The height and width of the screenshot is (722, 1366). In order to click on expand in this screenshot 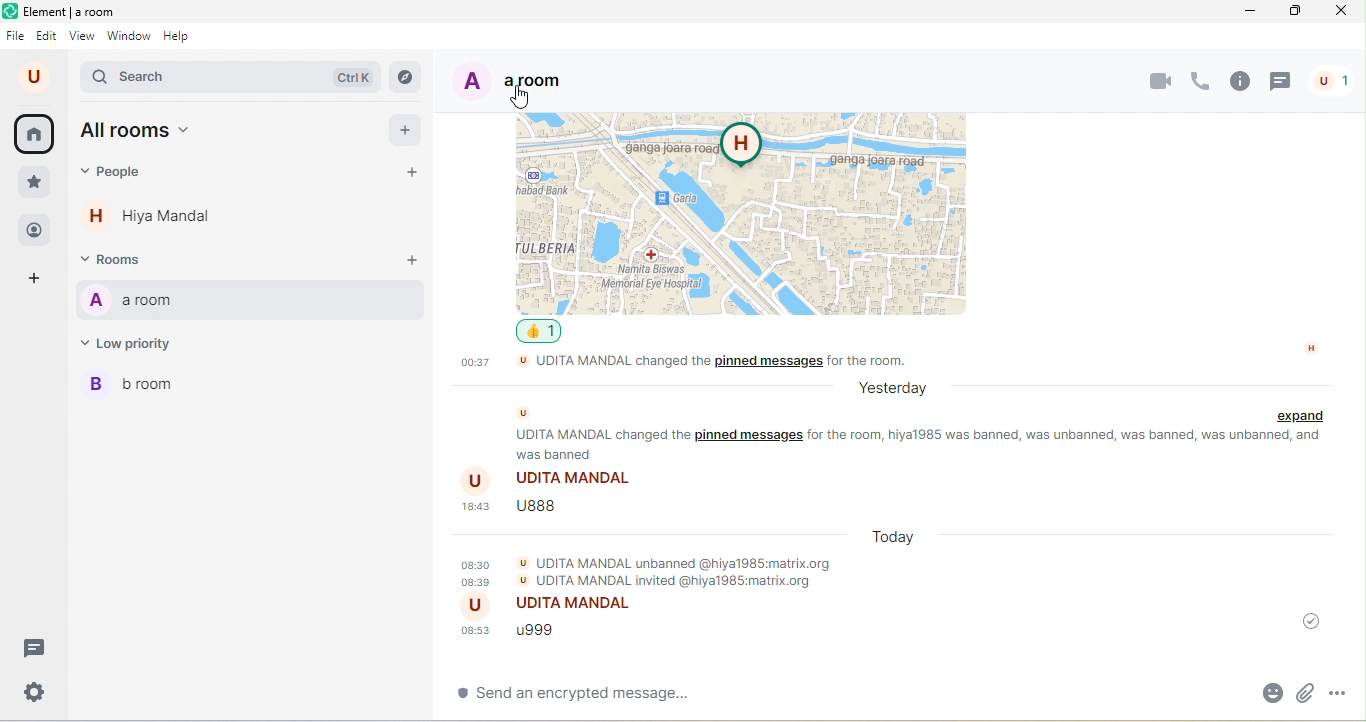, I will do `click(1301, 412)`.